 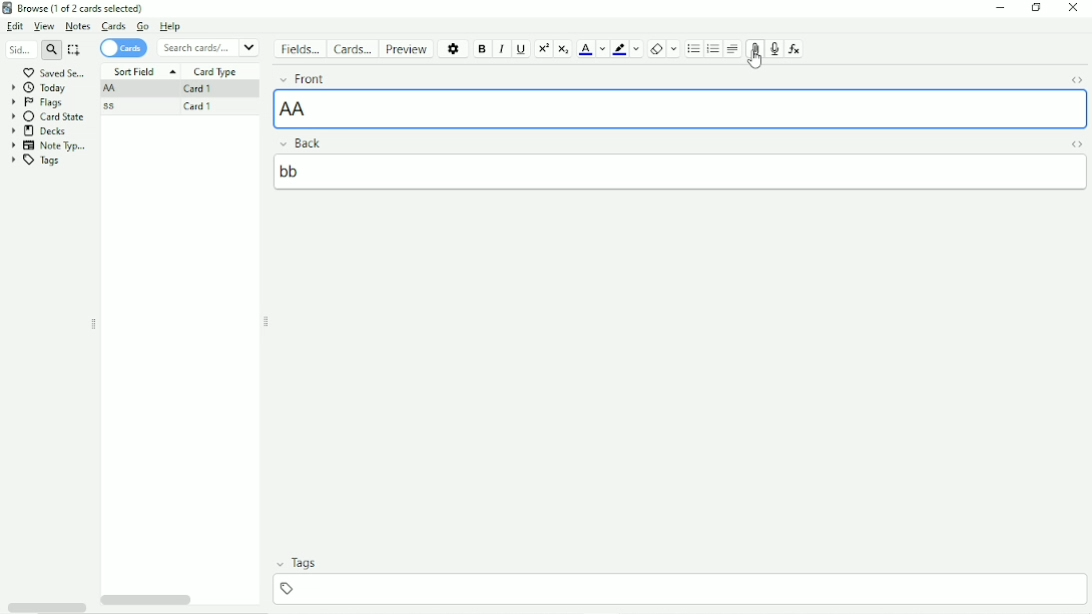 What do you see at coordinates (305, 141) in the screenshot?
I see `Back` at bounding box center [305, 141].